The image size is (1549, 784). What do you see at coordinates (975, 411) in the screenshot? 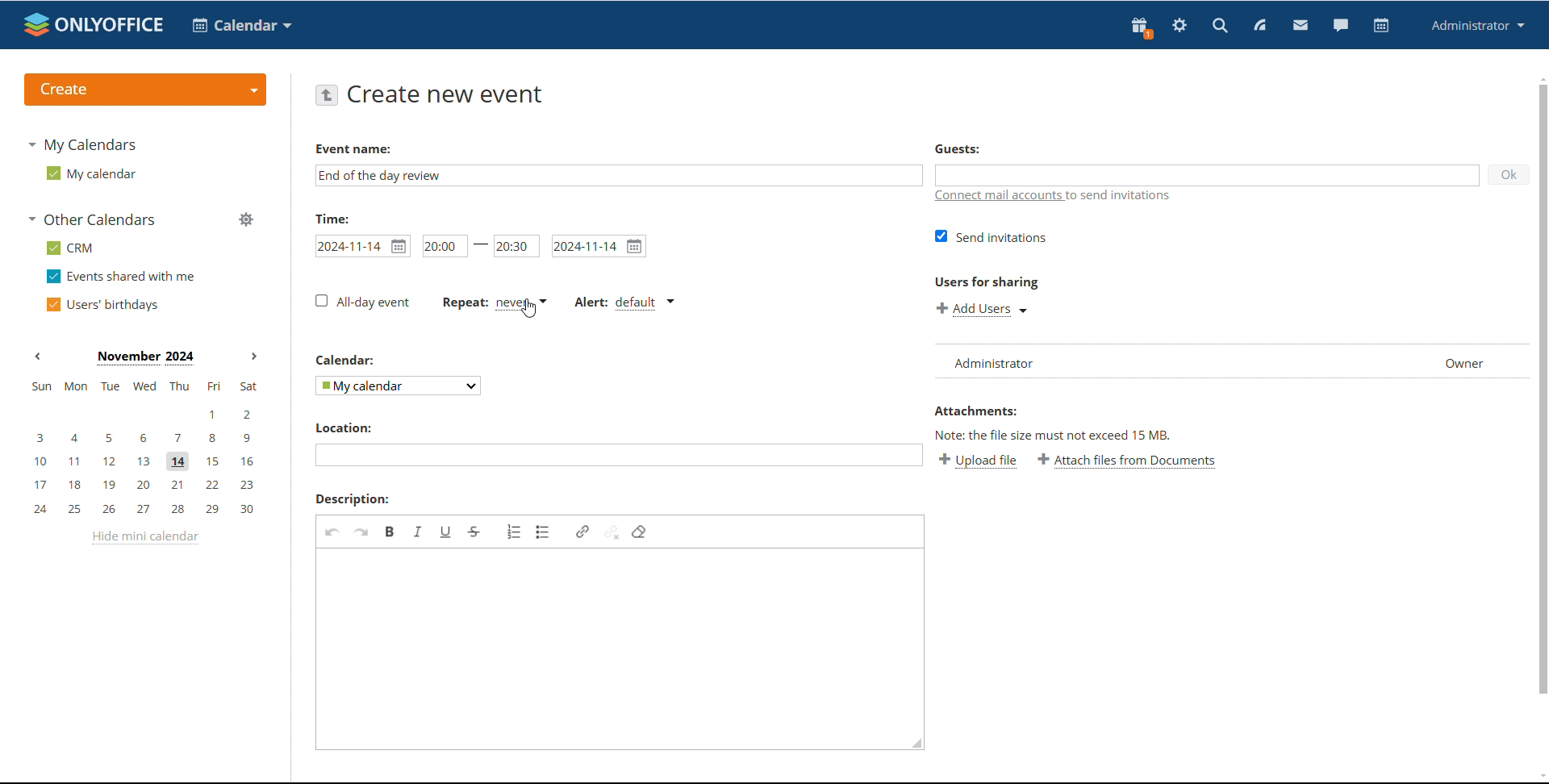
I see `Attachments` at bounding box center [975, 411].